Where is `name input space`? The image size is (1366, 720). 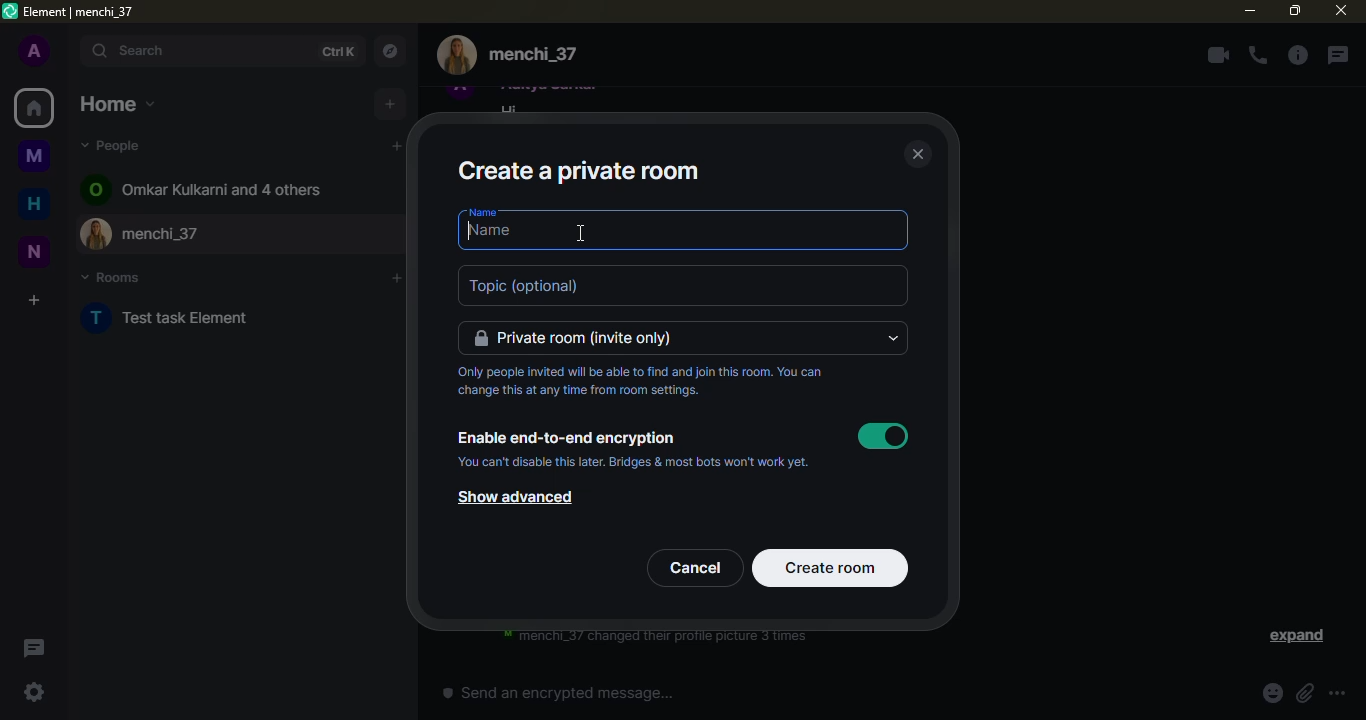
name input space is located at coordinates (682, 234).